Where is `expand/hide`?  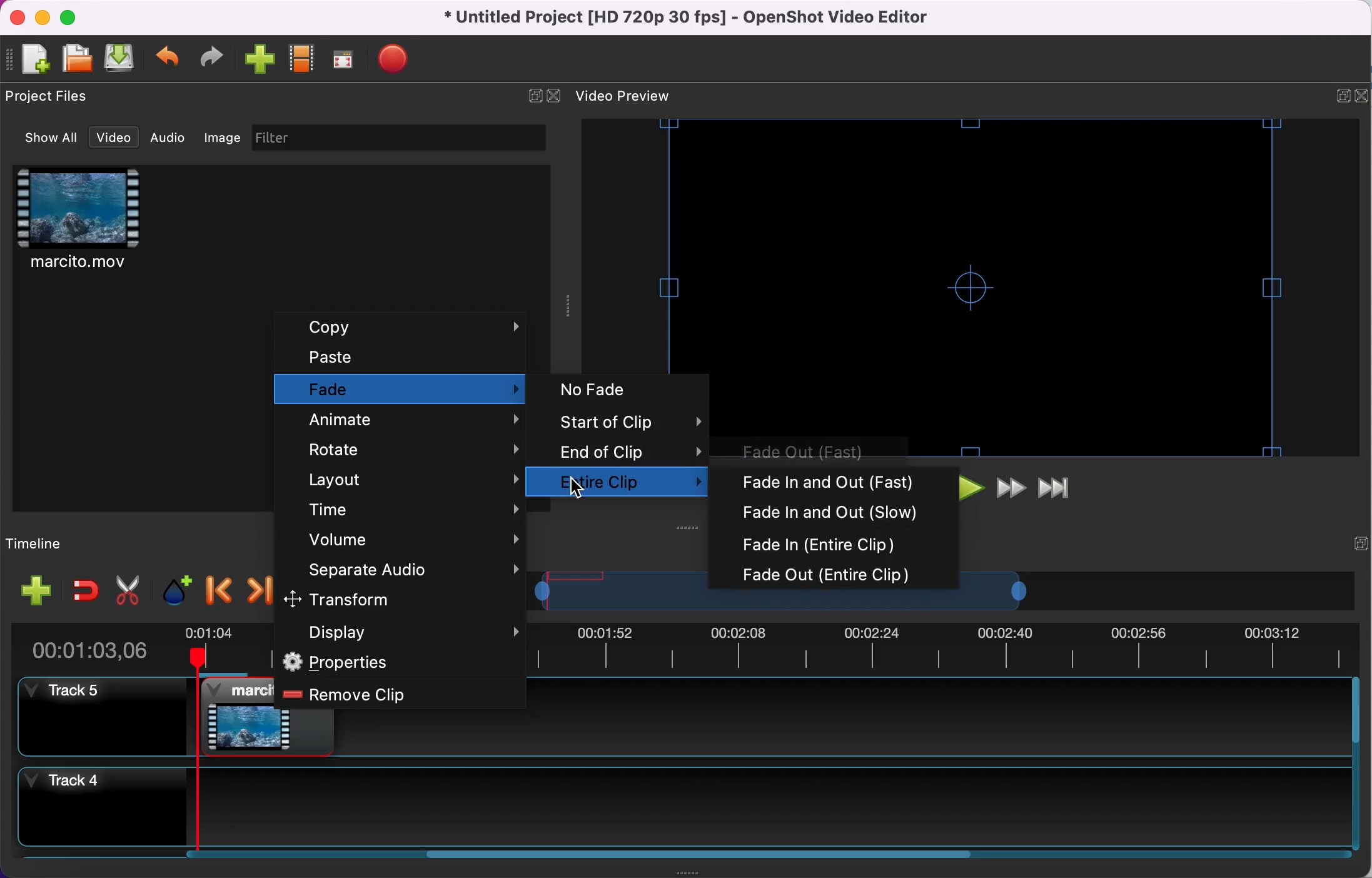
expand/hide is located at coordinates (1342, 551).